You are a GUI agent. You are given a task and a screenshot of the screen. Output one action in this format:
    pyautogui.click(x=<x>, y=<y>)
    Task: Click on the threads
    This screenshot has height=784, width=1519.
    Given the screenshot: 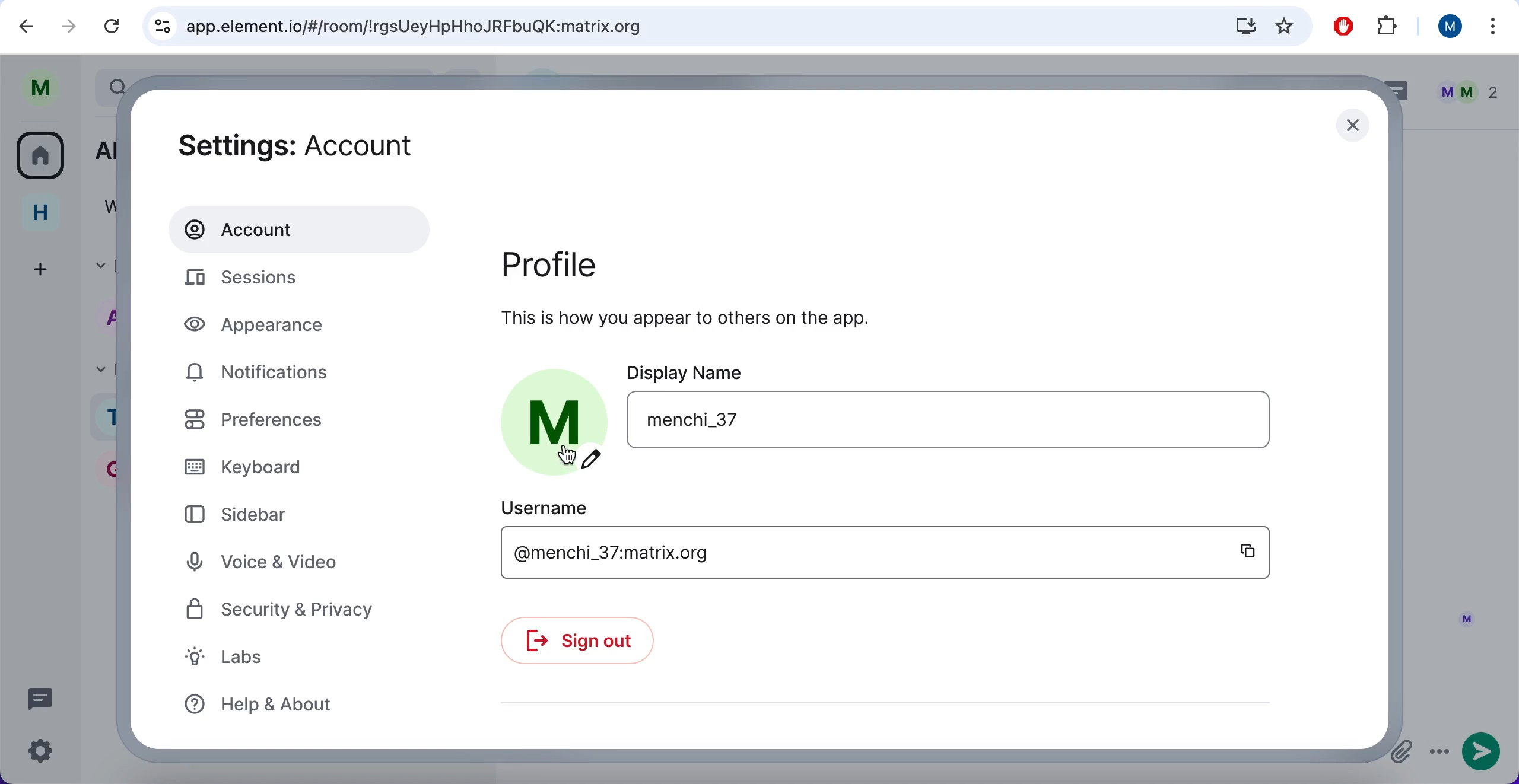 What is the action you would take?
    pyautogui.click(x=40, y=698)
    